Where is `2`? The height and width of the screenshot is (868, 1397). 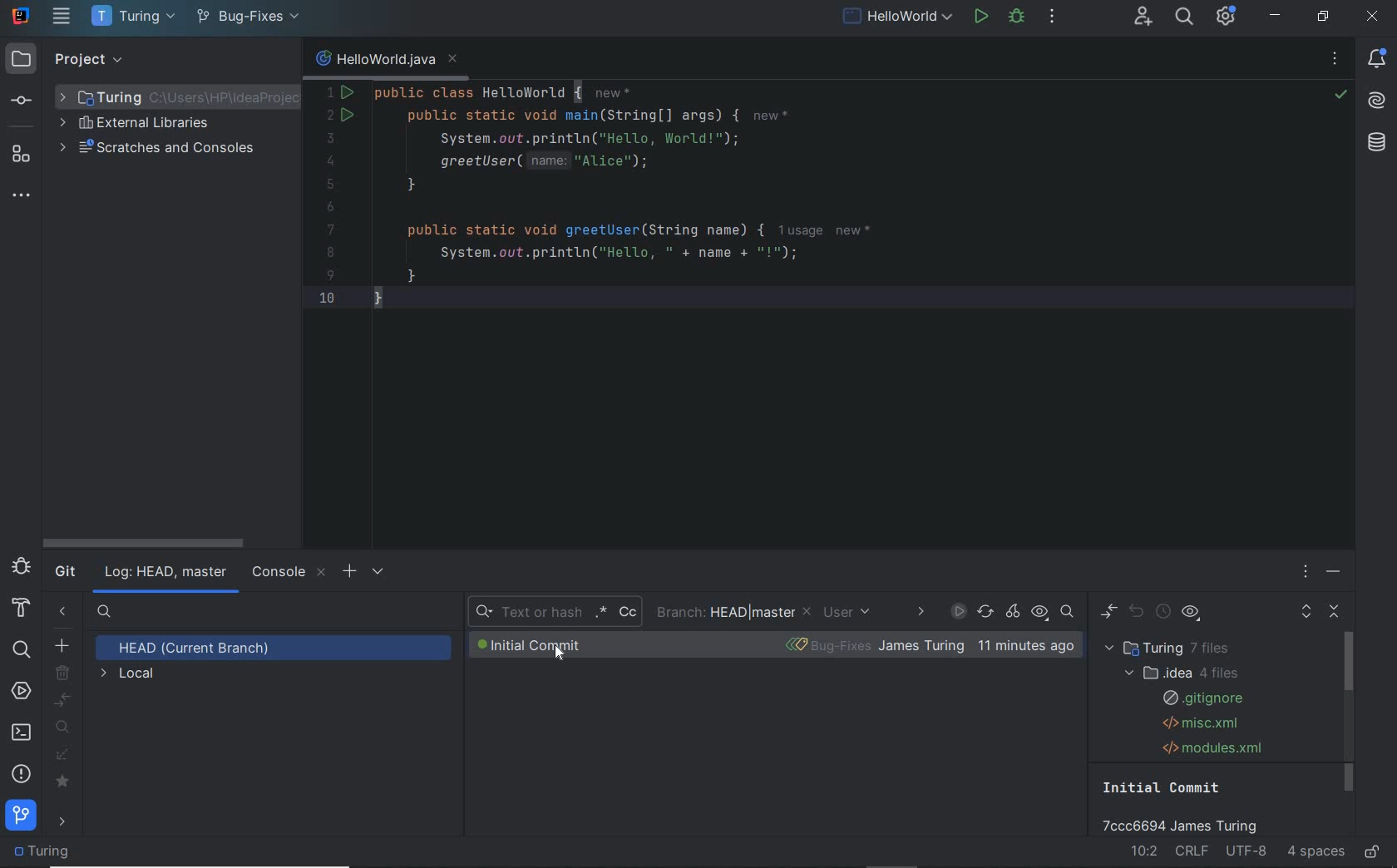
2 is located at coordinates (331, 116).